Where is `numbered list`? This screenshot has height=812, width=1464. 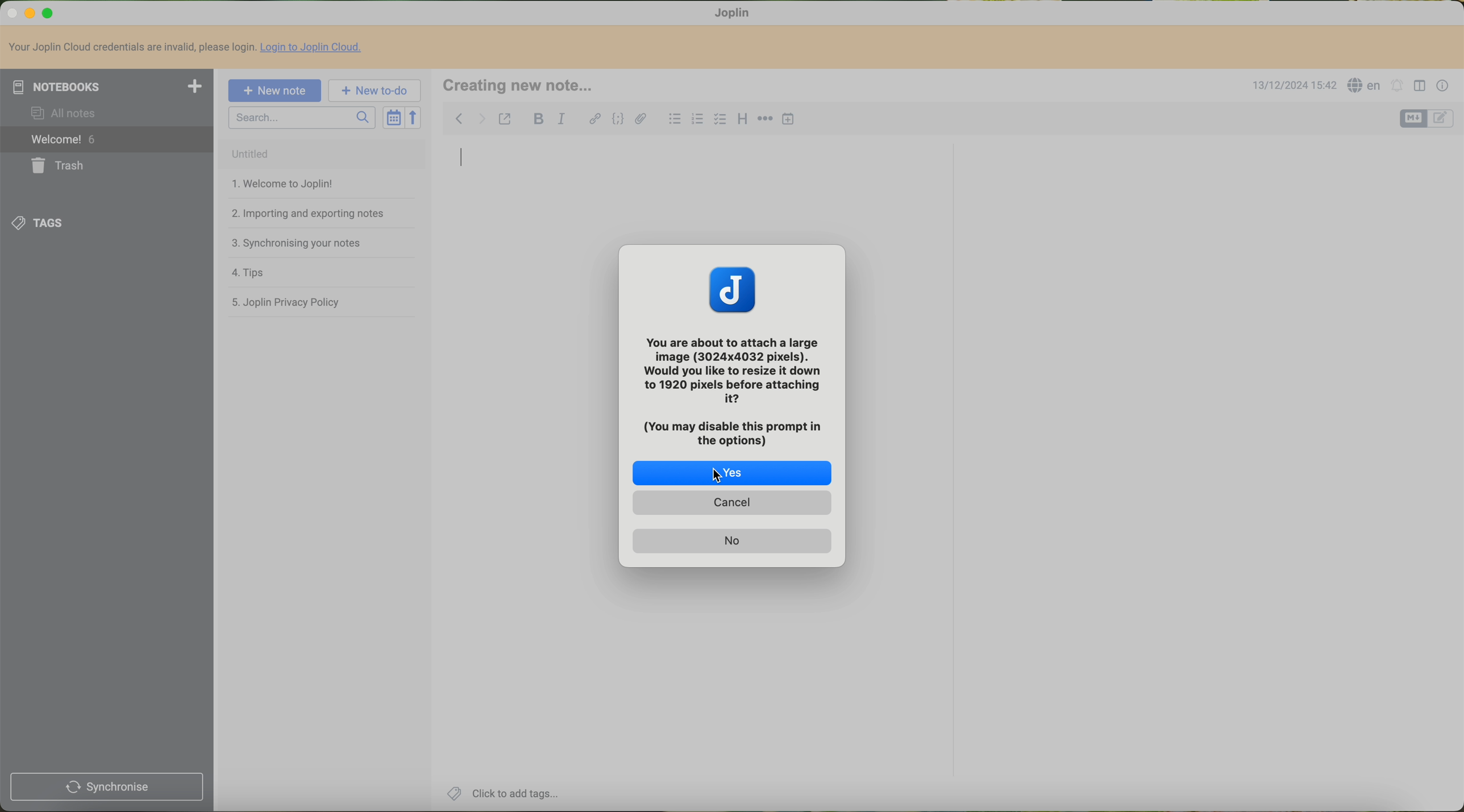 numbered list is located at coordinates (698, 120).